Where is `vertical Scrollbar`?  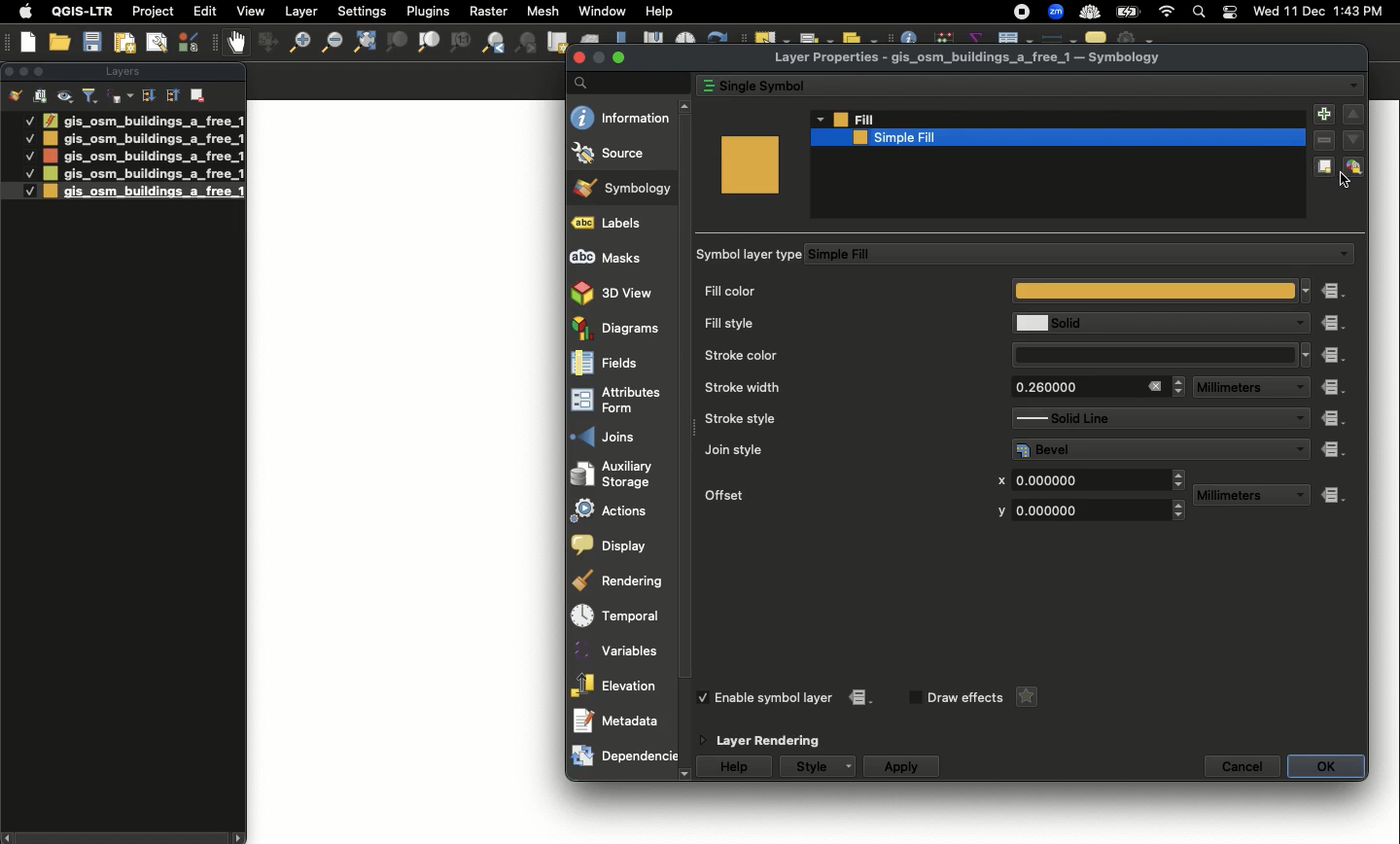
vertical Scrollbar is located at coordinates (689, 440).